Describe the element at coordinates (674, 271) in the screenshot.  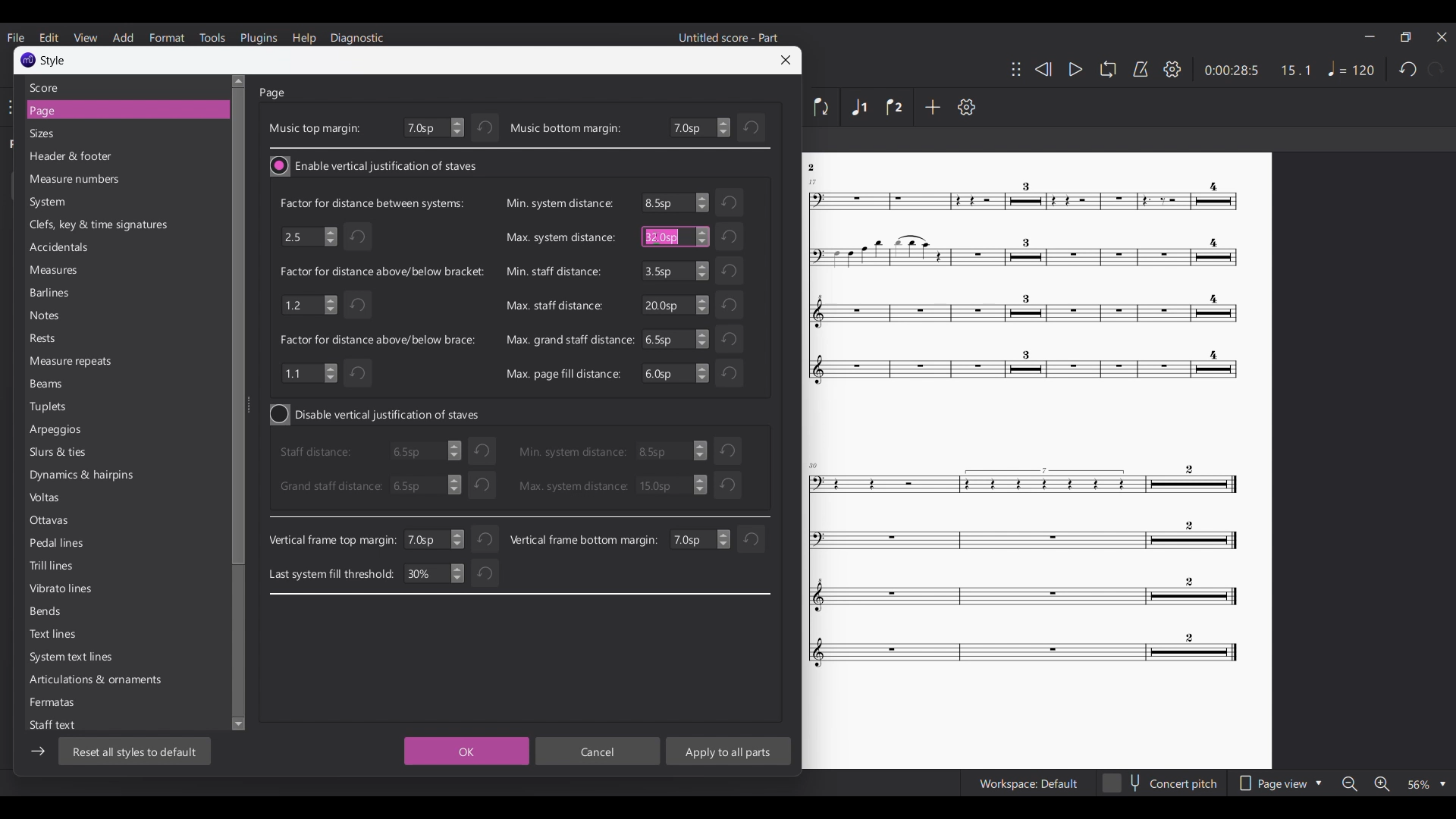
I see `3.5sp` at that location.